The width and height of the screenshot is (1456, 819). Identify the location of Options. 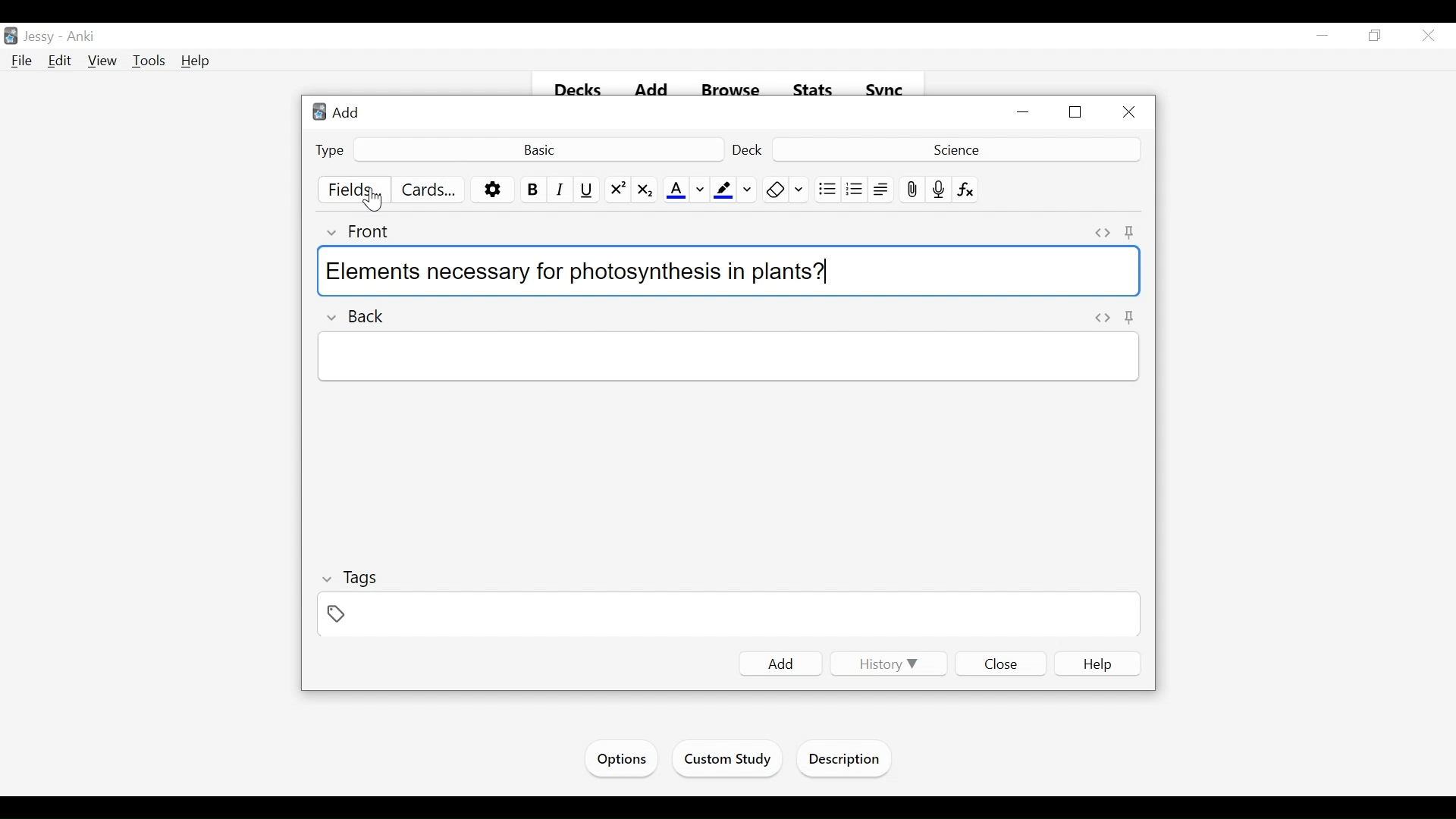
(493, 190).